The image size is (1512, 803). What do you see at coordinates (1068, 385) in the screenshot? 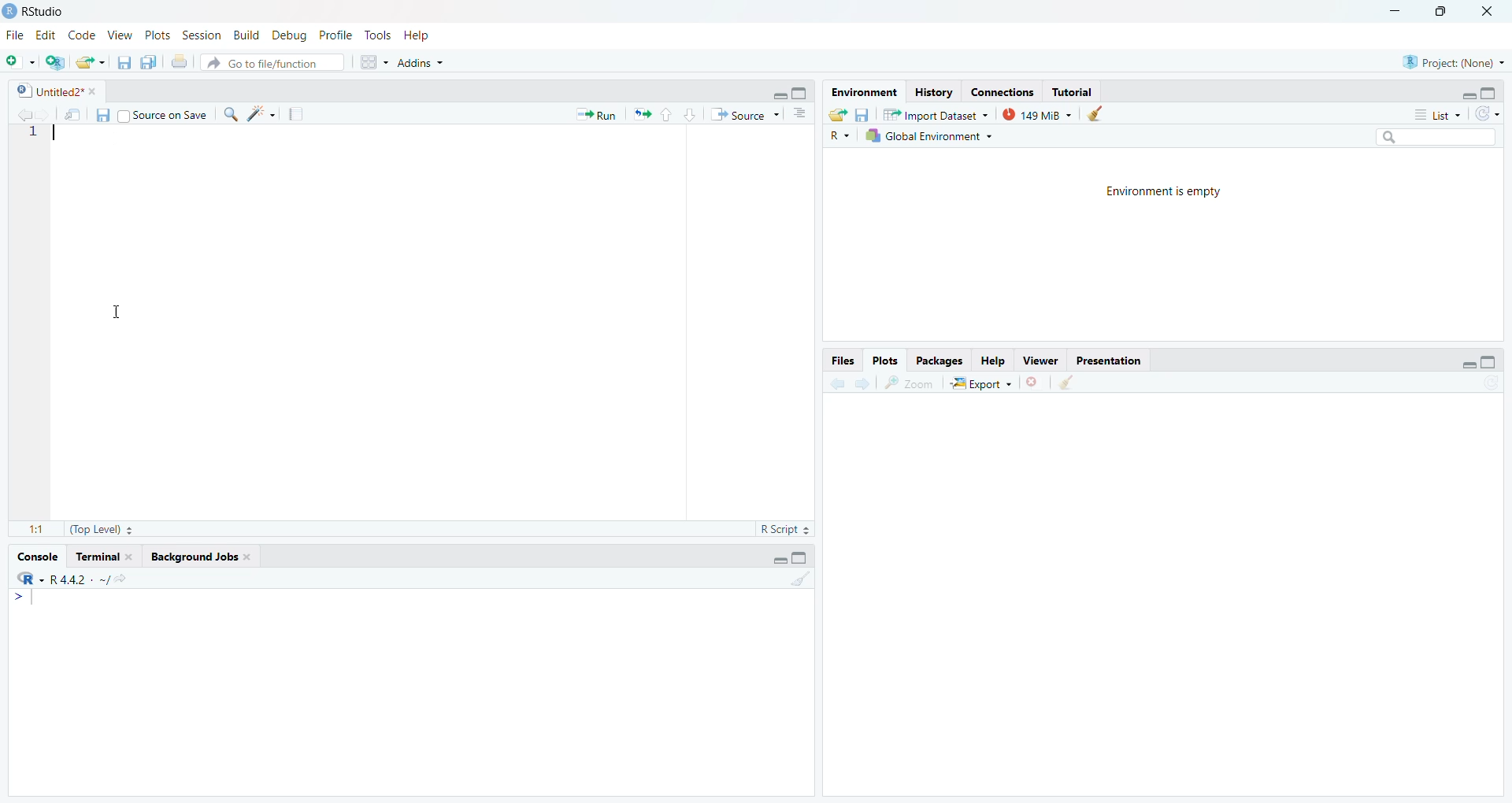
I see `Clear console (Ctrl +L)` at bounding box center [1068, 385].